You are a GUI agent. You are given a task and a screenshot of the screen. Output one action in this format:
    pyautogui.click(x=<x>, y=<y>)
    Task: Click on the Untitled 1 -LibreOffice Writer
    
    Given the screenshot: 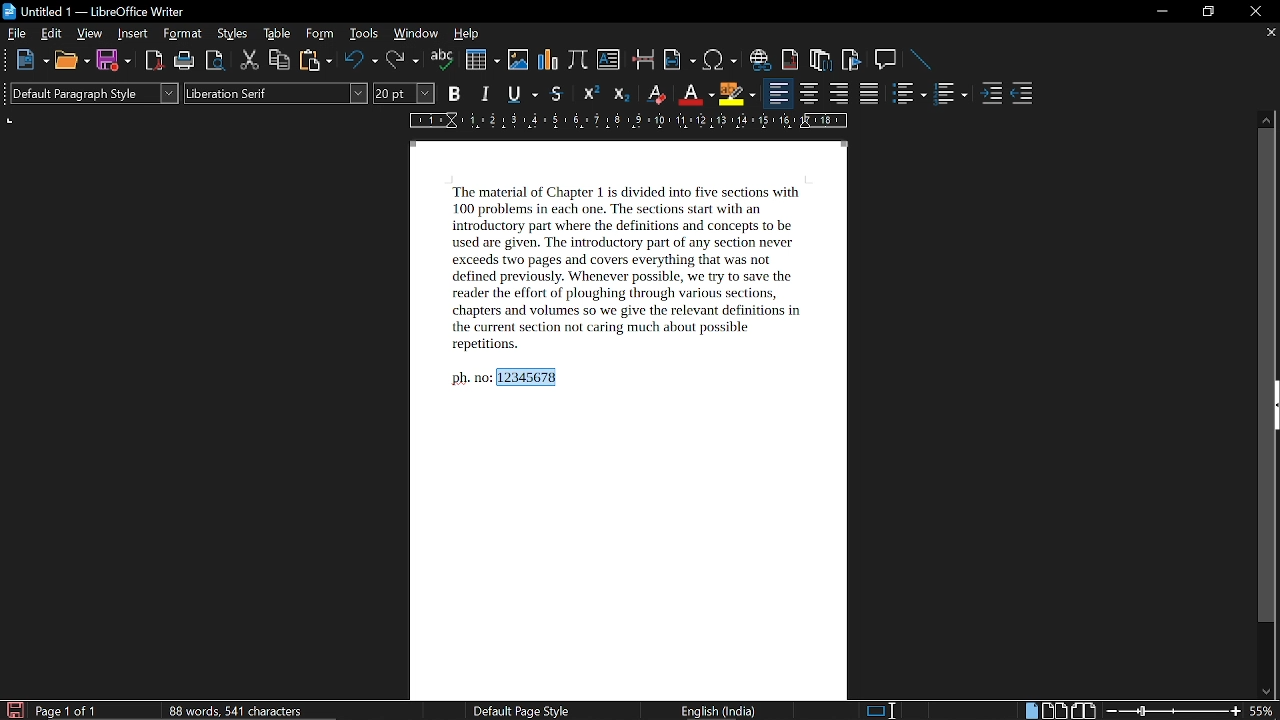 What is the action you would take?
    pyautogui.click(x=96, y=11)
    